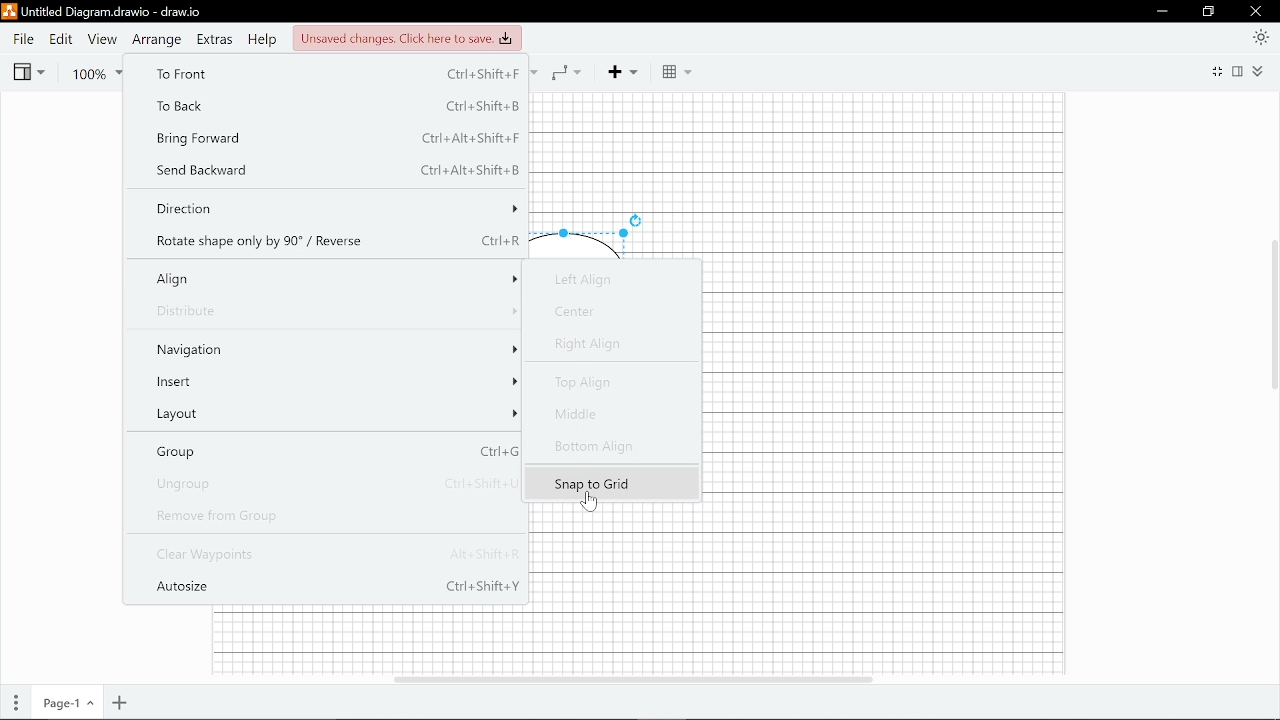 The image size is (1280, 720). I want to click on Group Ctrl+G, so click(333, 453).